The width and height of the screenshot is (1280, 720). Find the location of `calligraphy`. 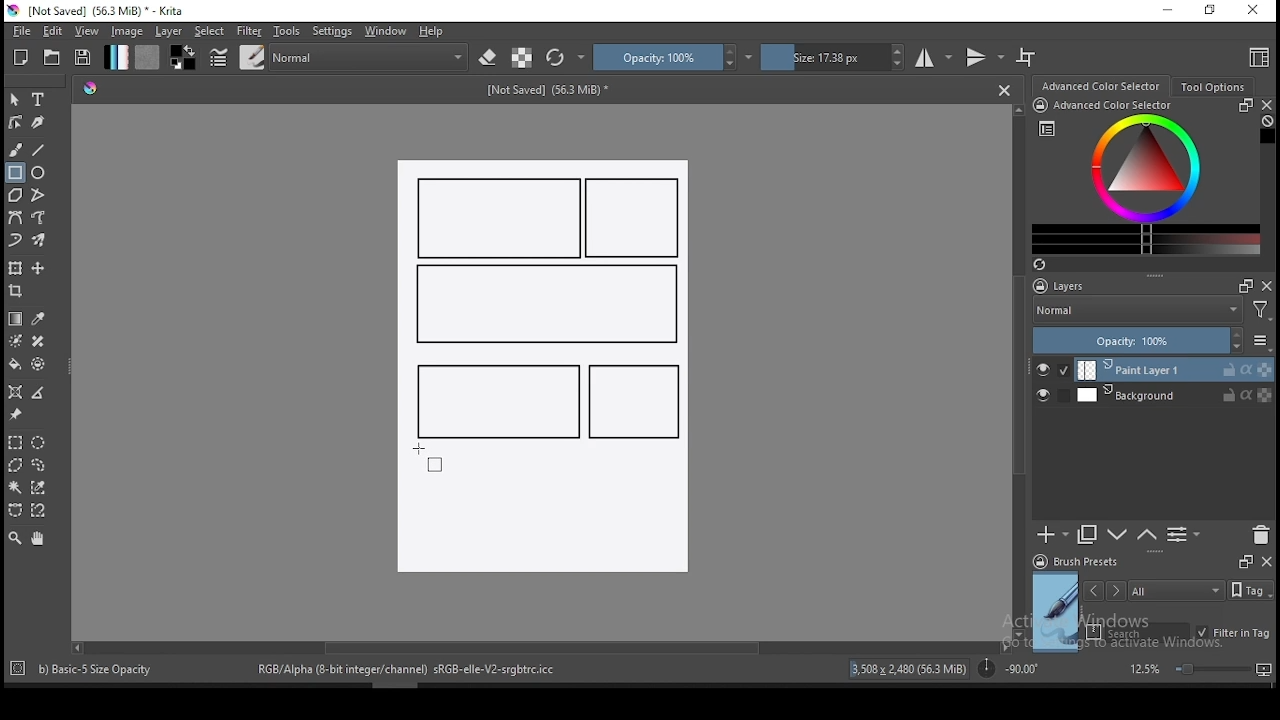

calligraphy is located at coordinates (39, 121).